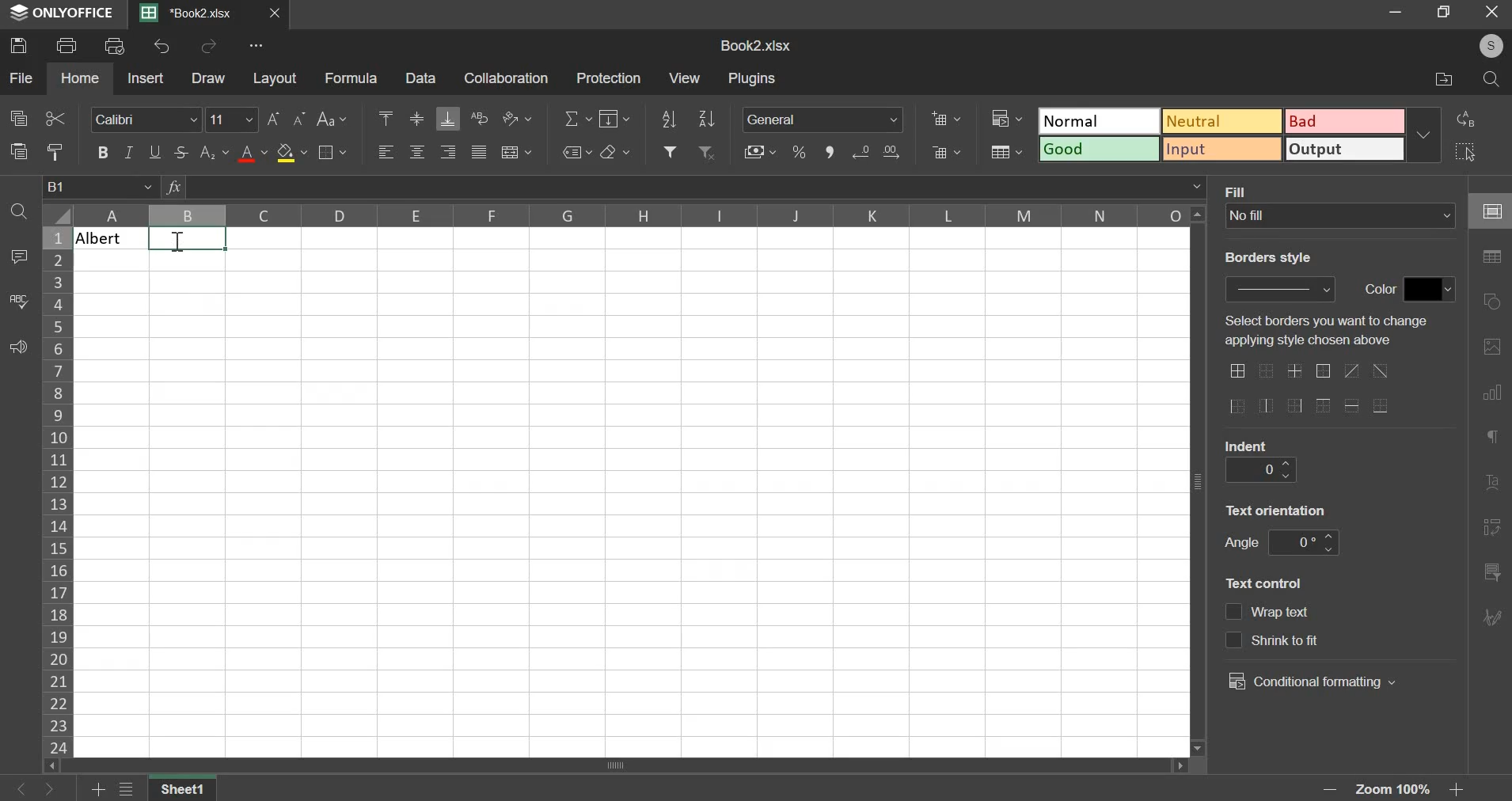 This screenshot has height=801, width=1512. Describe the element at coordinates (17, 346) in the screenshot. I see `feedback` at that location.